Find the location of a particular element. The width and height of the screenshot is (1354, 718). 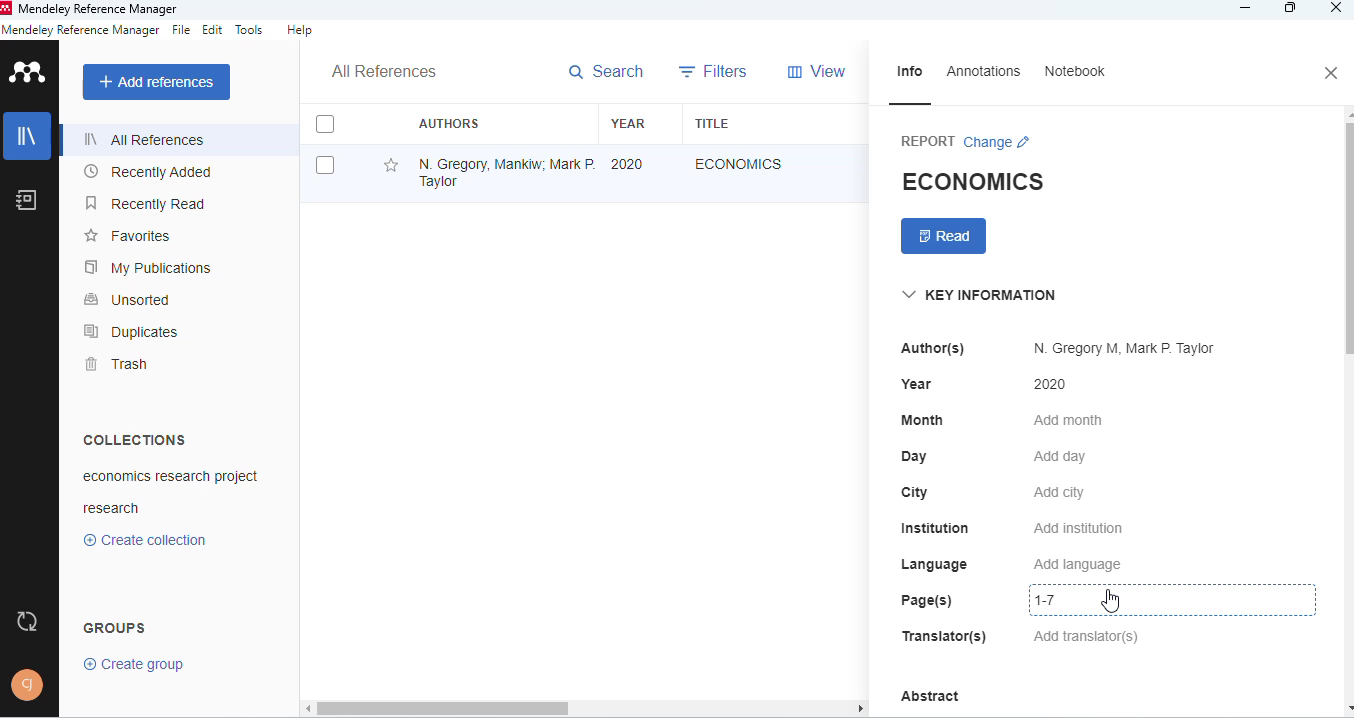

horizontal scroll bar is located at coordinates (592, 707).